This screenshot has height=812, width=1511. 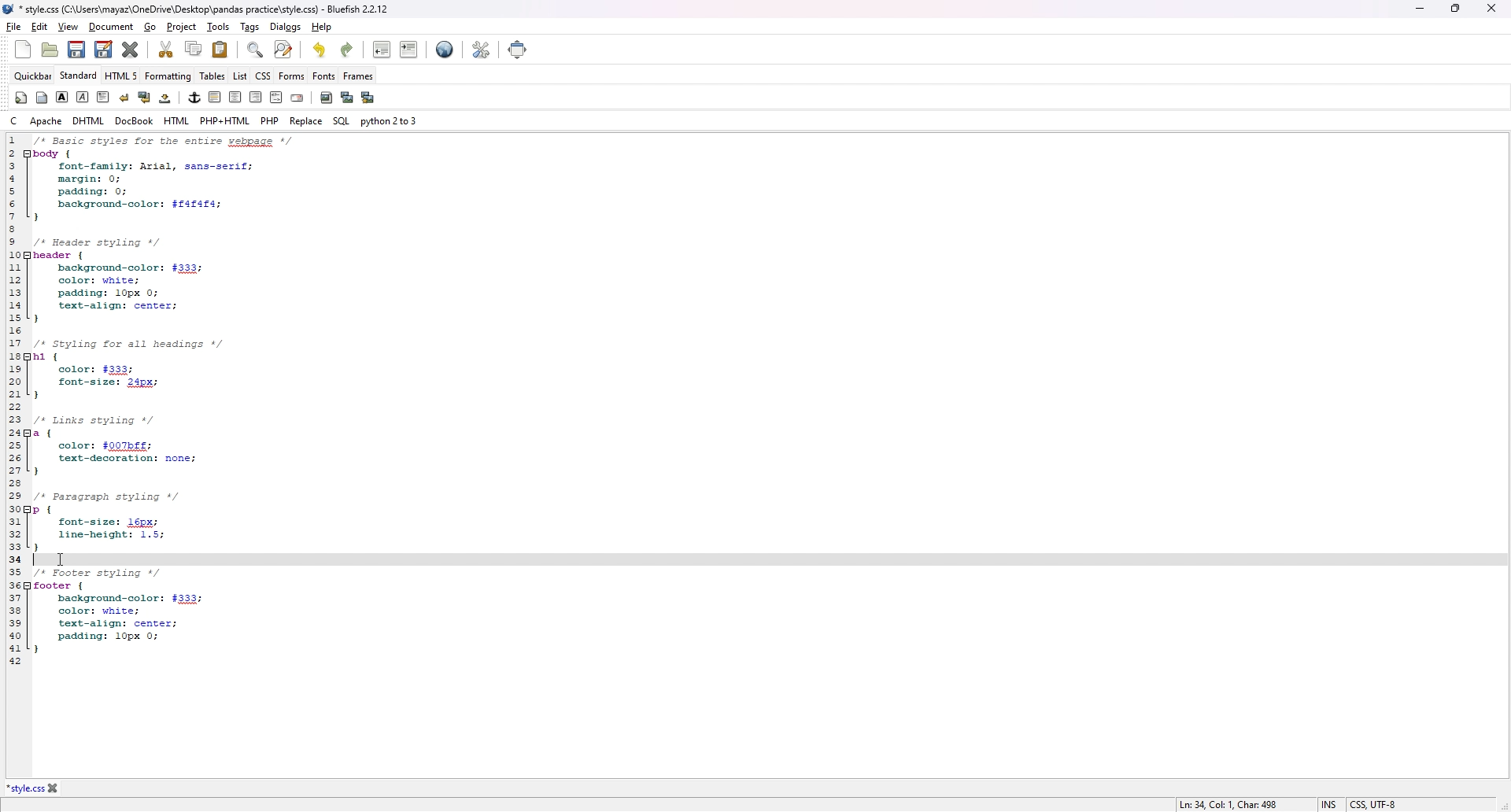 I want to click on indent, so click(x=409, y=50).